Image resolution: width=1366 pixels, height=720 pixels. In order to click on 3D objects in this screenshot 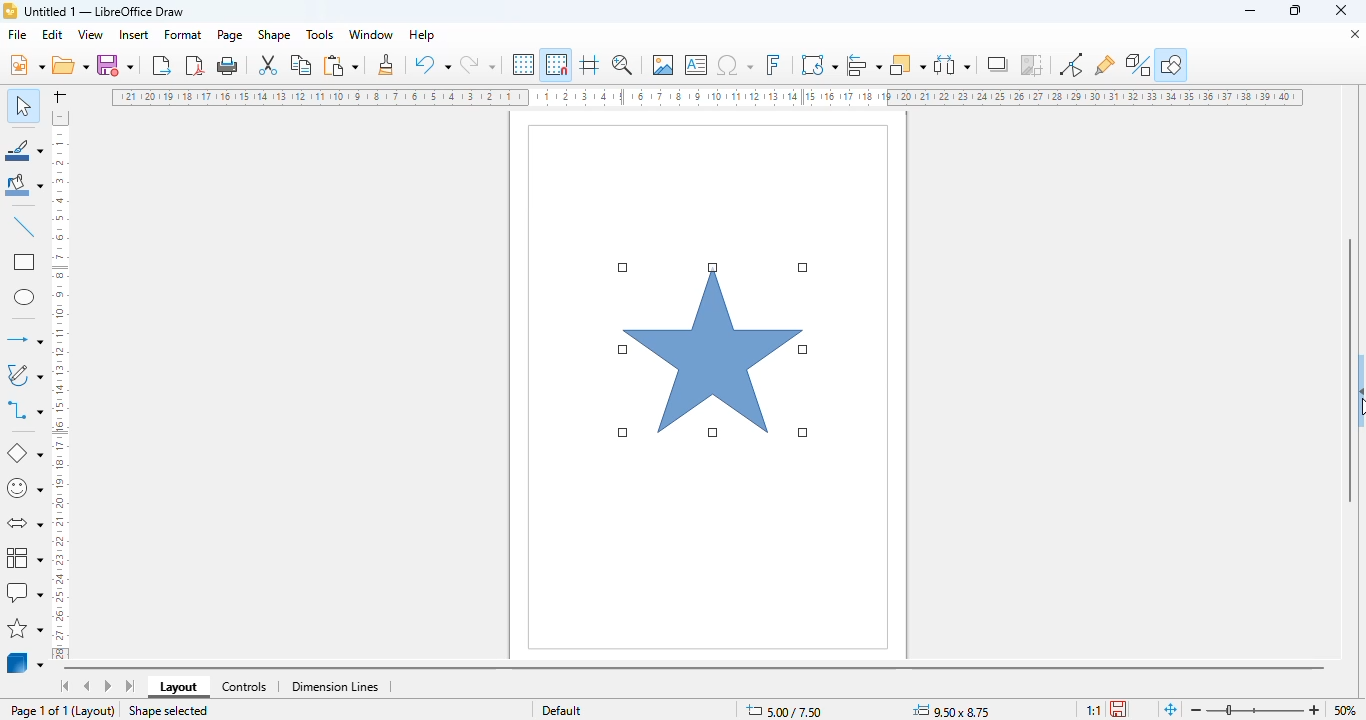, I will do `click(25, 663)`.